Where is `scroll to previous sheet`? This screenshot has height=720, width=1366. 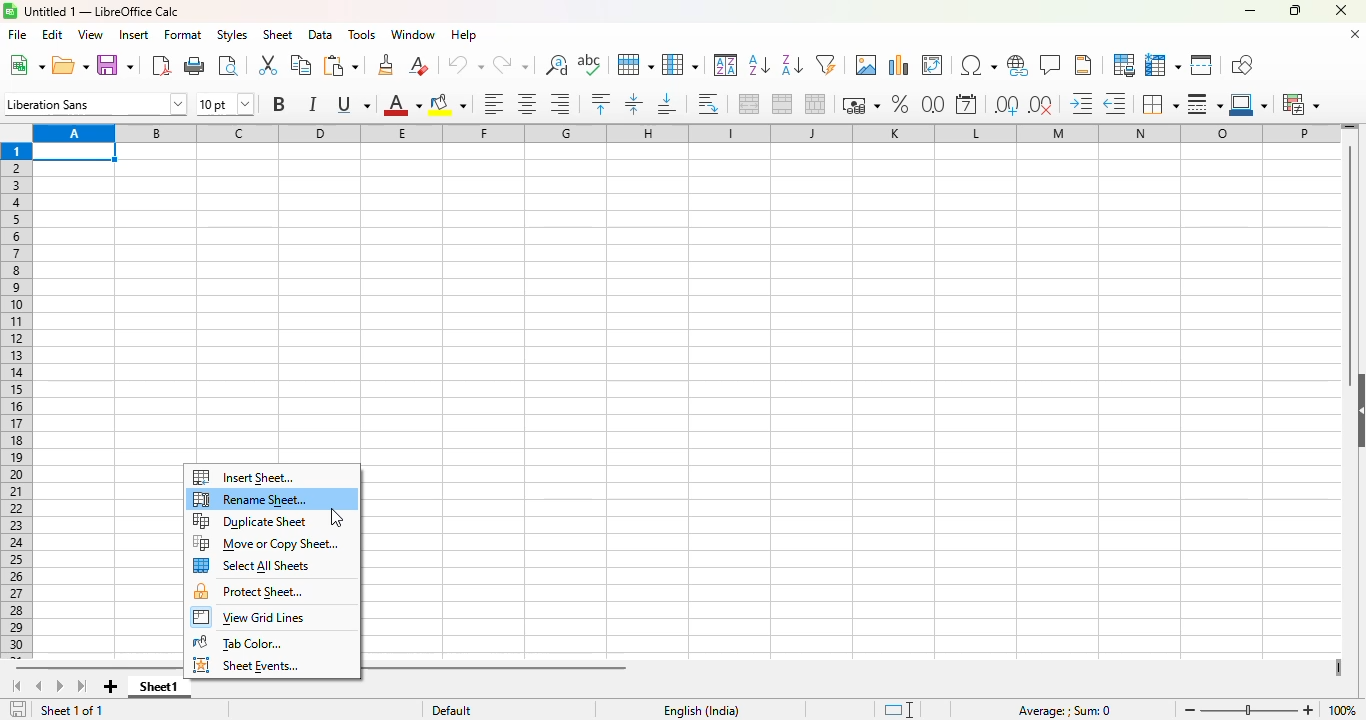
scroll to previous sheet is located at coordinates (39, 687).